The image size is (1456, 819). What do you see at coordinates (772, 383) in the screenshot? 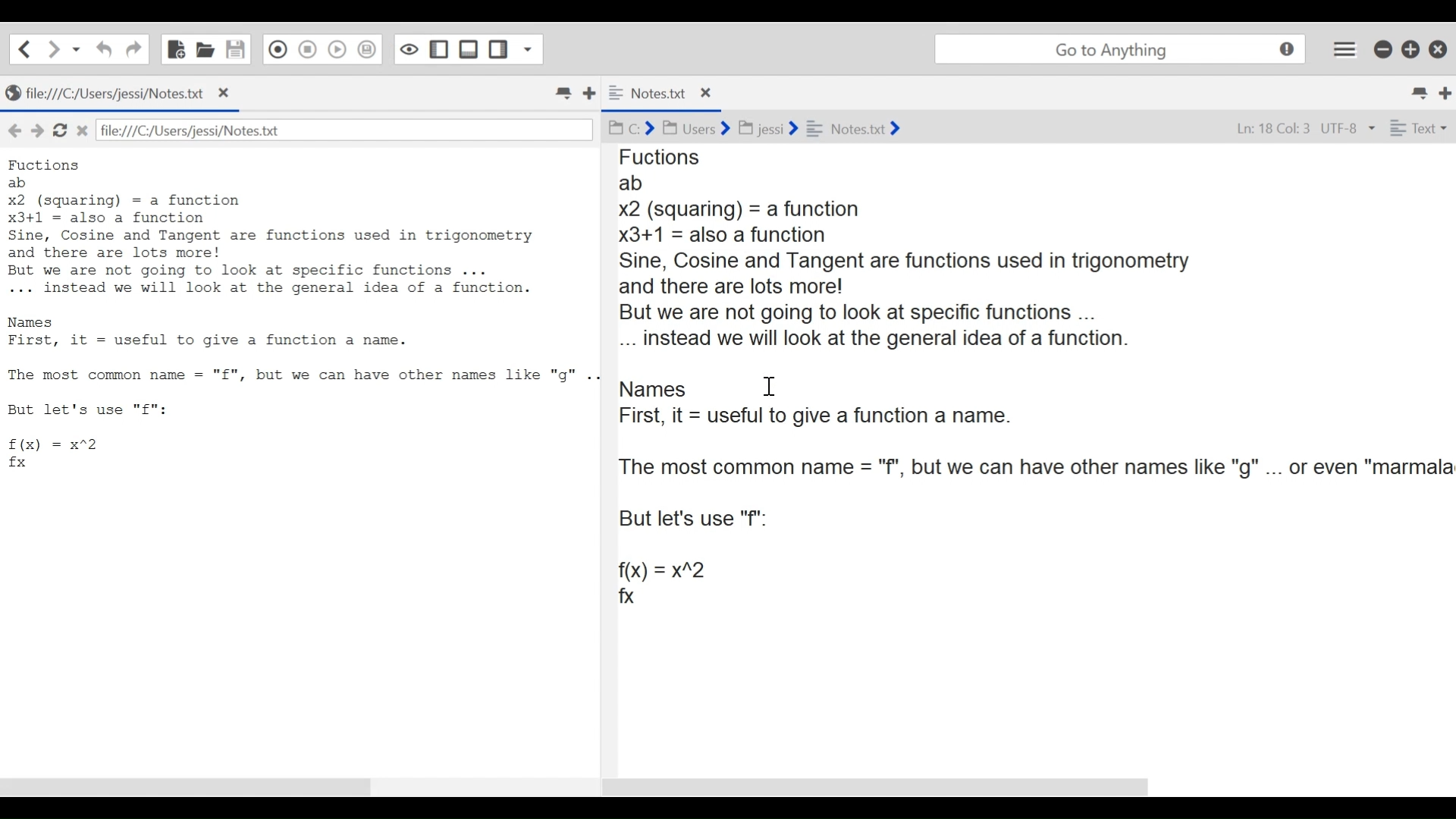
I see `text cursor` at bounding box center [772, 383].